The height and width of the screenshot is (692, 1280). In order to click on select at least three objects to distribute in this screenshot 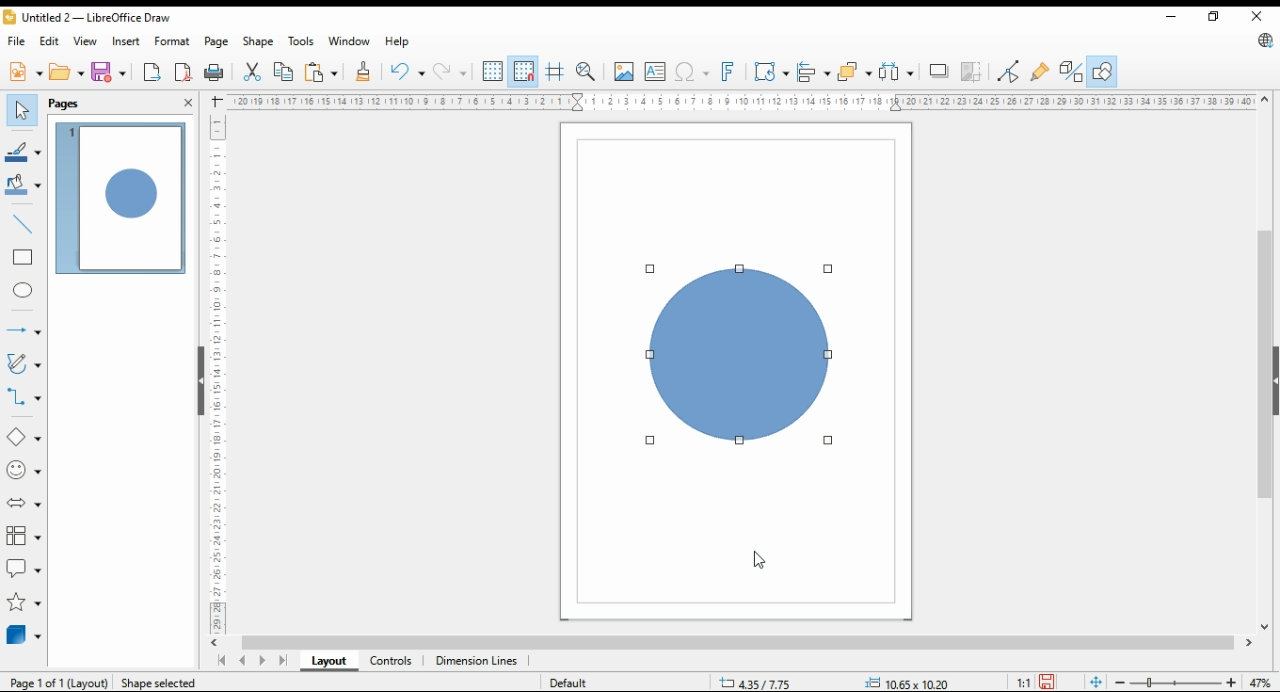, I will do `click(895, 72)`.